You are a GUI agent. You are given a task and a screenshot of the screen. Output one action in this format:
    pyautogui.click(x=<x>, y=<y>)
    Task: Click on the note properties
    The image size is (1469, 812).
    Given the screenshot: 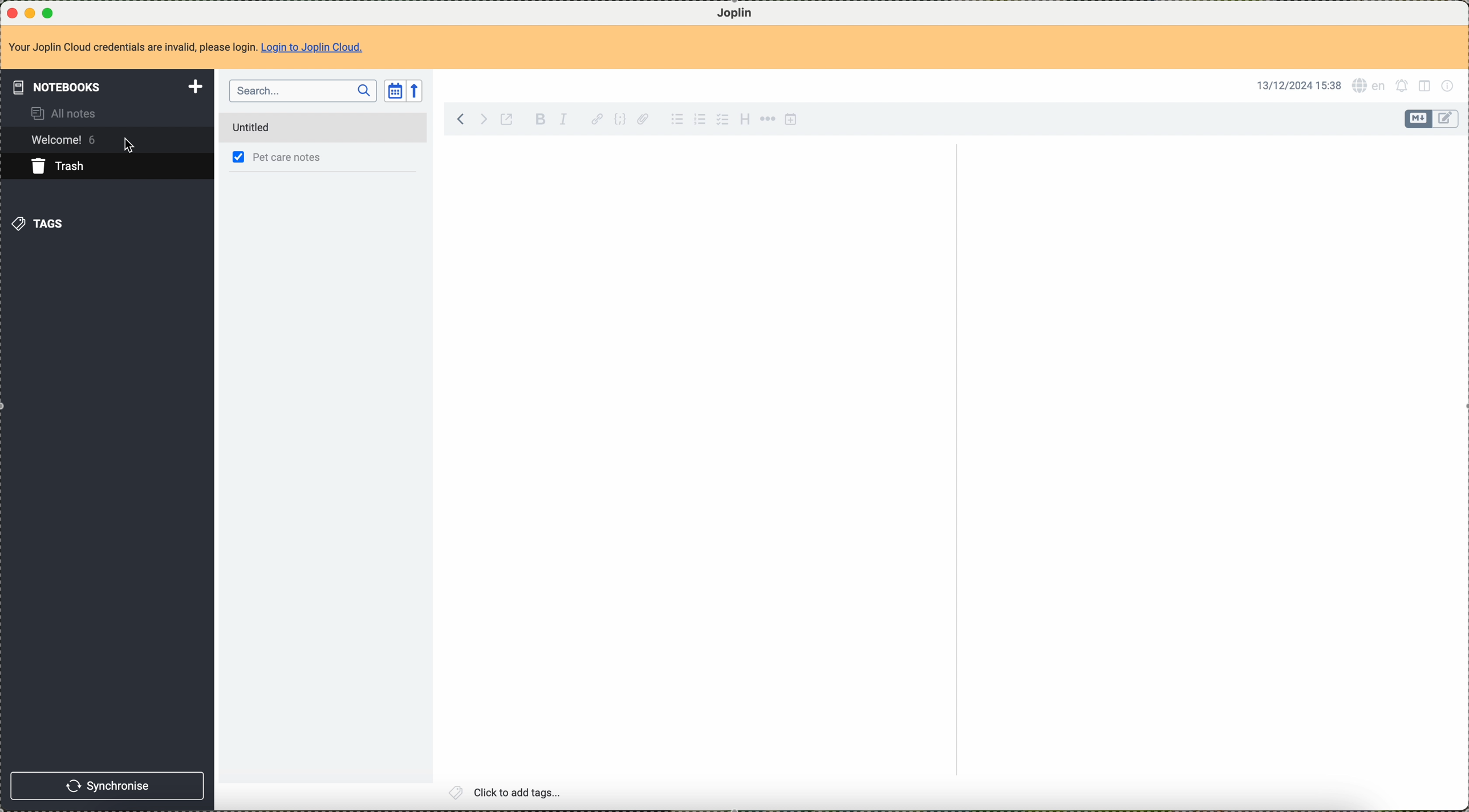 What is the action you would take?
    pyautogui.click(x=1451, y=87)
    